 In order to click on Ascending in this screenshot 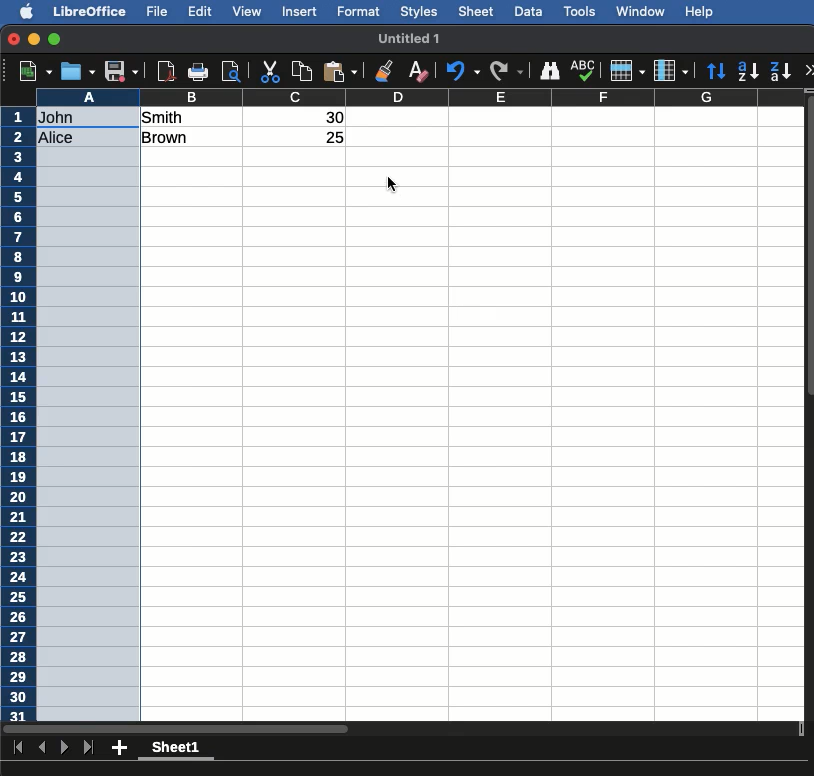, I will do `click(750, 70)`.